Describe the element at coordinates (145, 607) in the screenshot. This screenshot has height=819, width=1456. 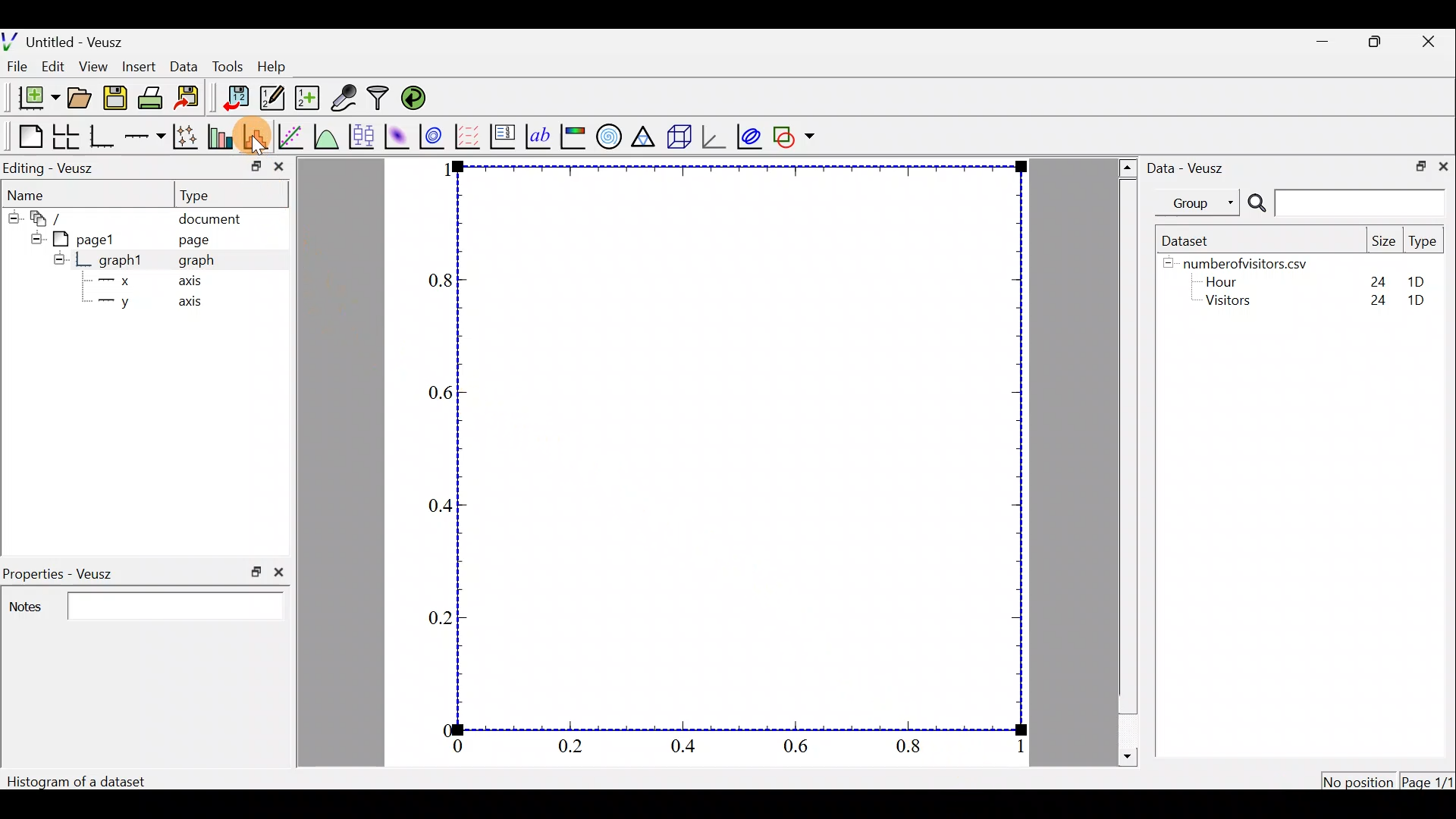
I see `Notes` at that location.